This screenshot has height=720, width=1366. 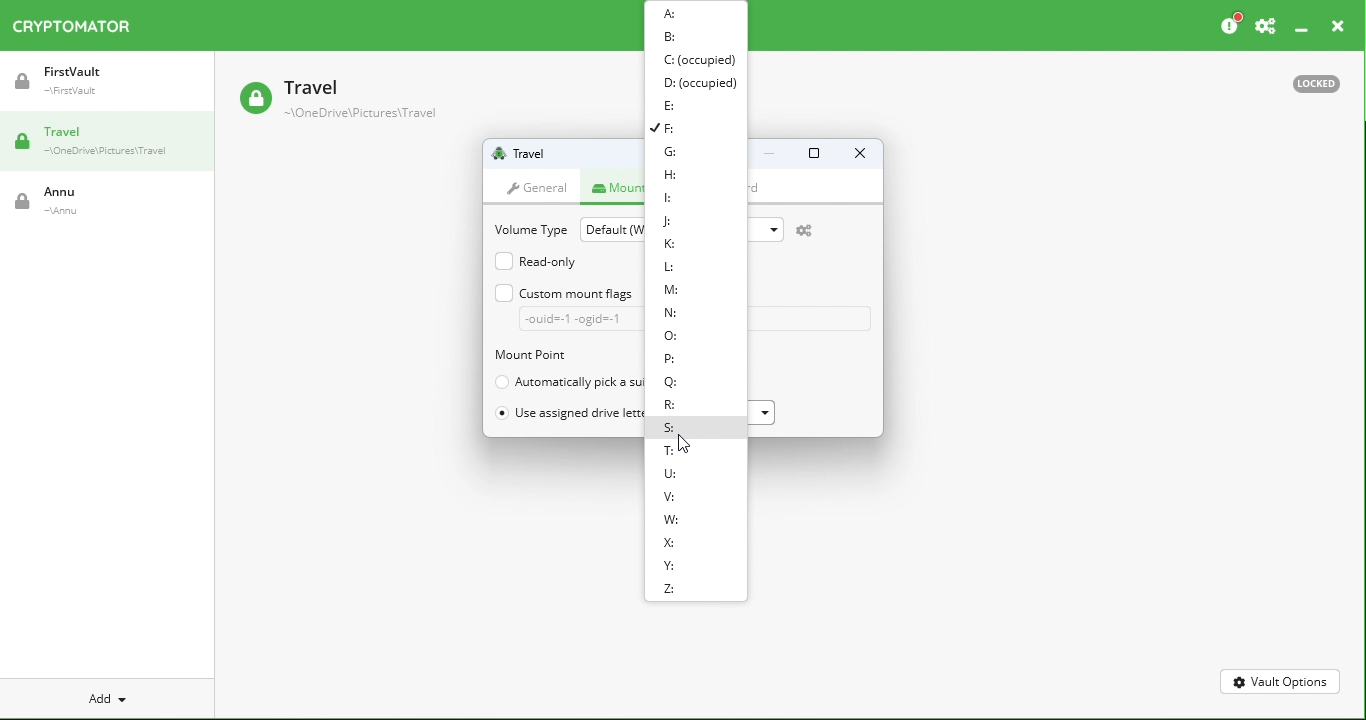 What do you see at coordinates (1300, 24) in the screenshot?
I see `Minimize` at bounding box center [1300, 24].